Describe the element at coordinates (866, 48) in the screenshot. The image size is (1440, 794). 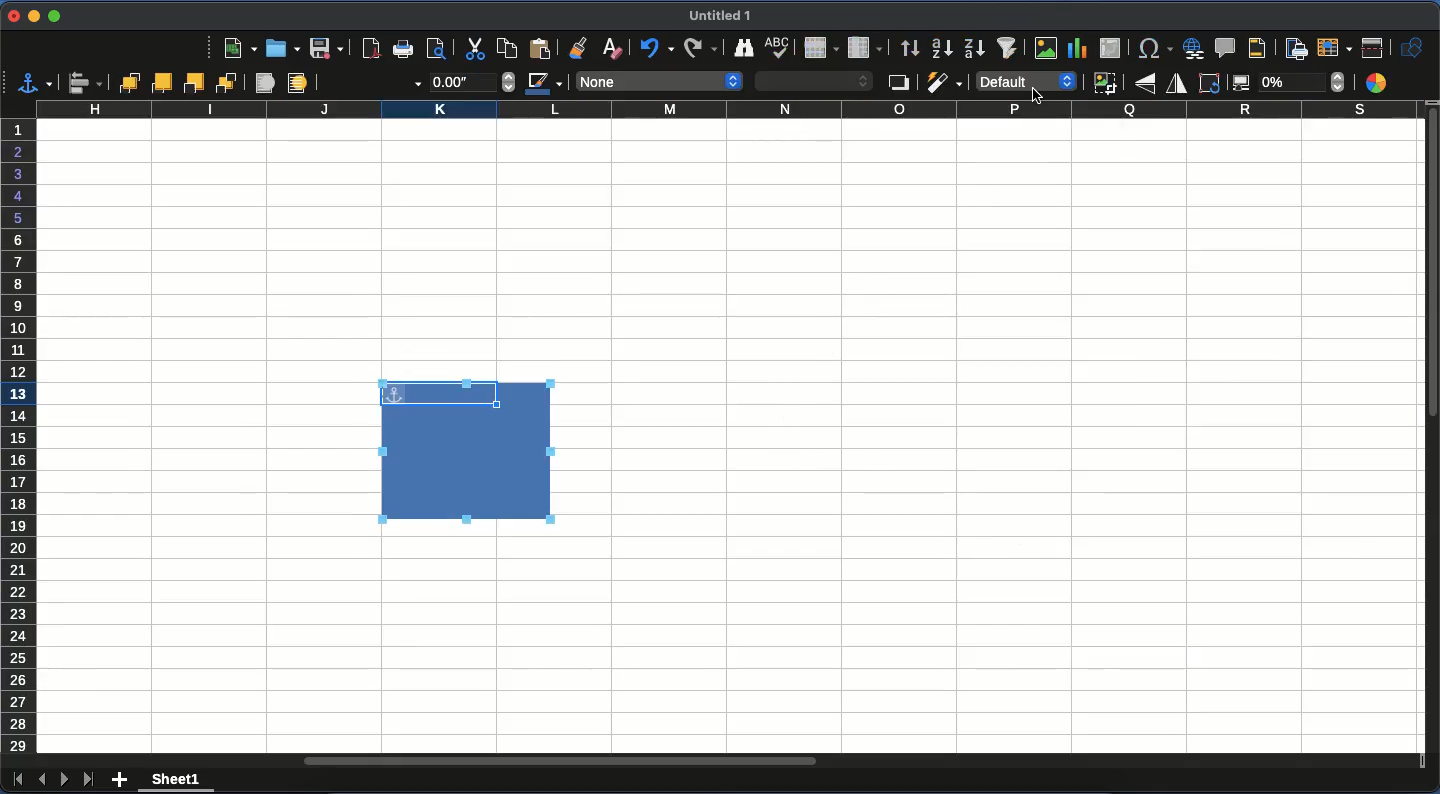
I see `column` at that location.